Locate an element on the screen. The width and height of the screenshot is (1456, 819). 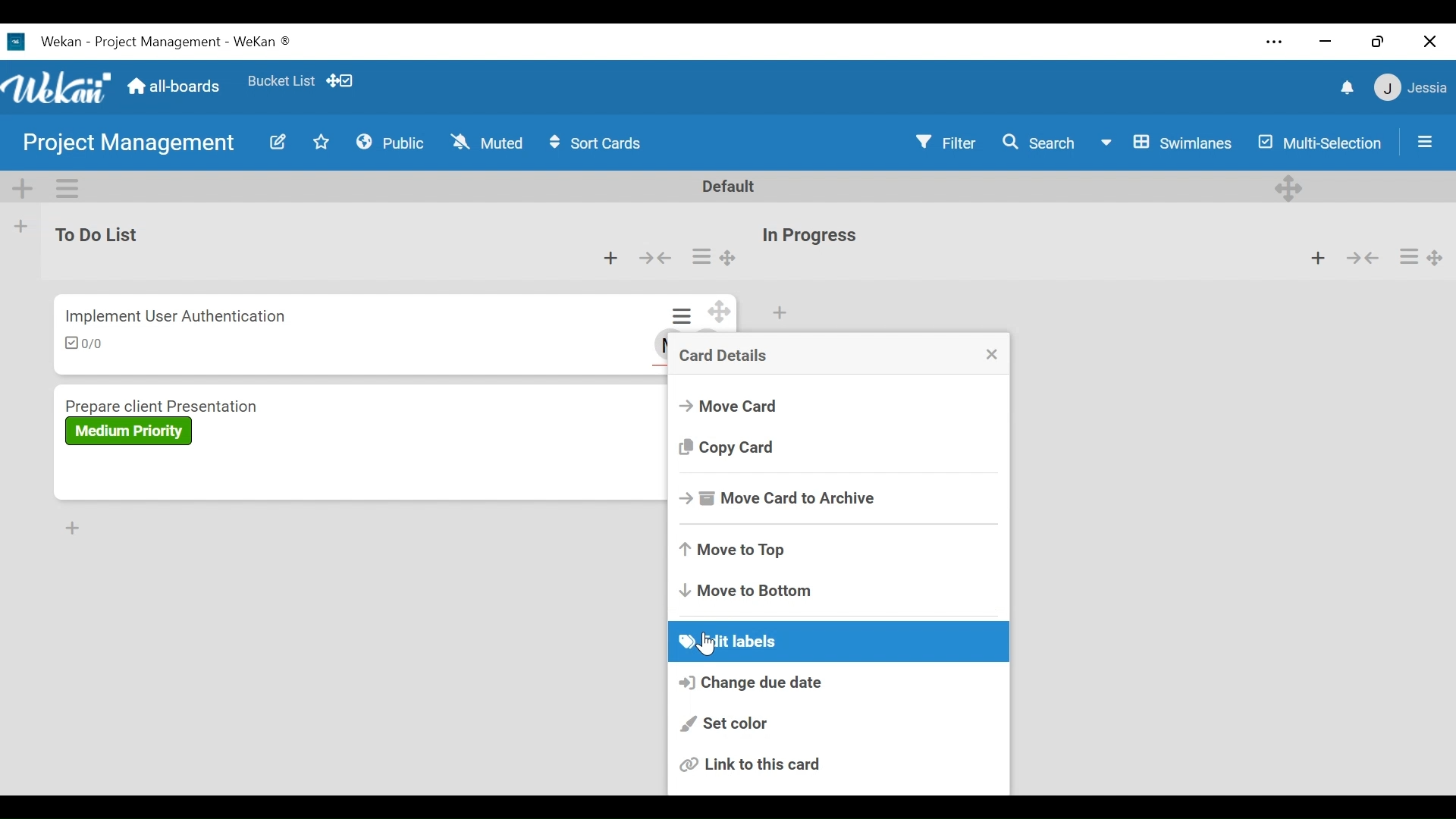
Link this card is located at coordinates (749, 764).